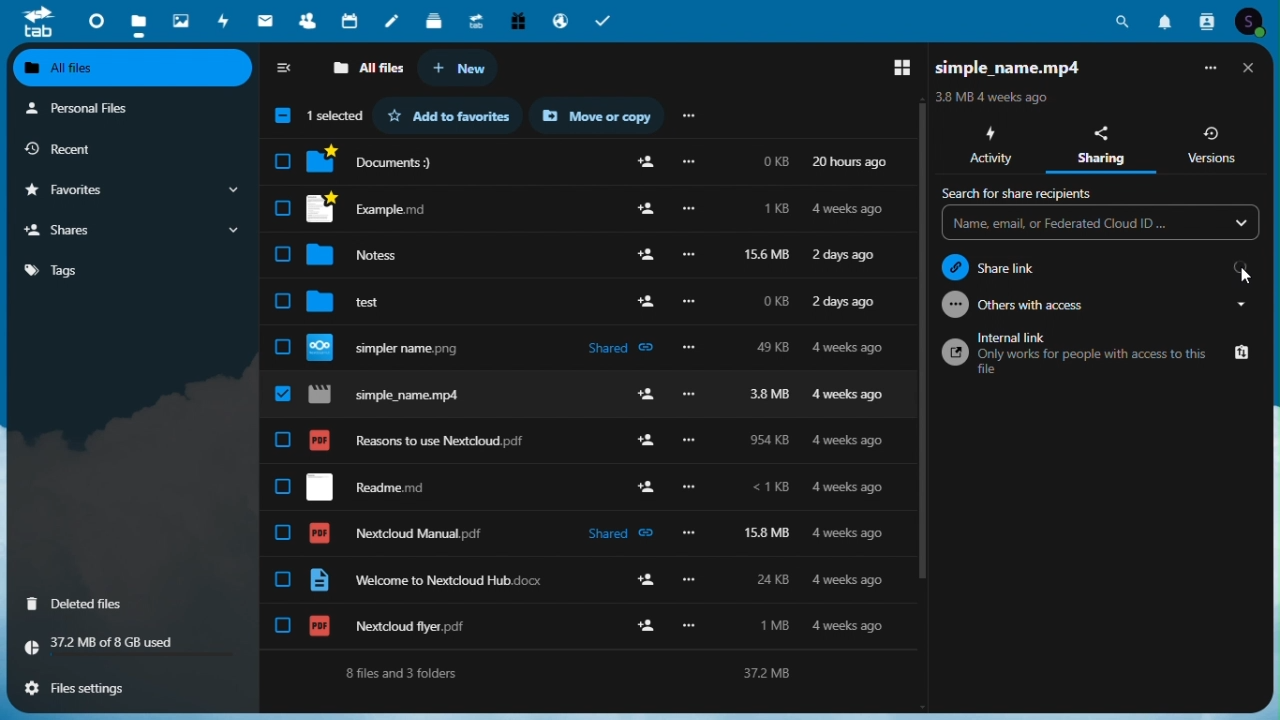  I want to click on Text, so click(573, 673).